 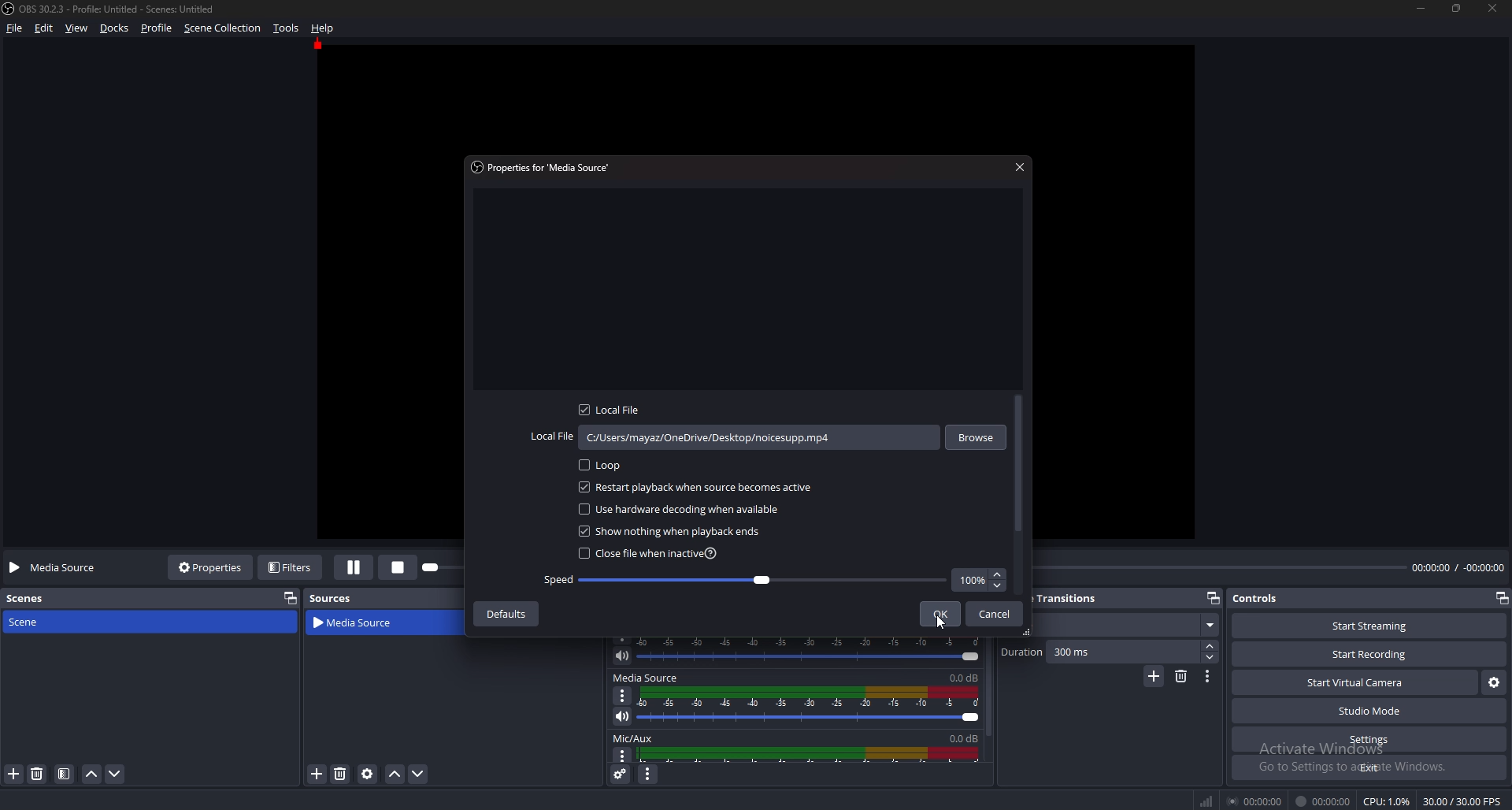 I want to click on pop out, so click(x=1501, y=600).